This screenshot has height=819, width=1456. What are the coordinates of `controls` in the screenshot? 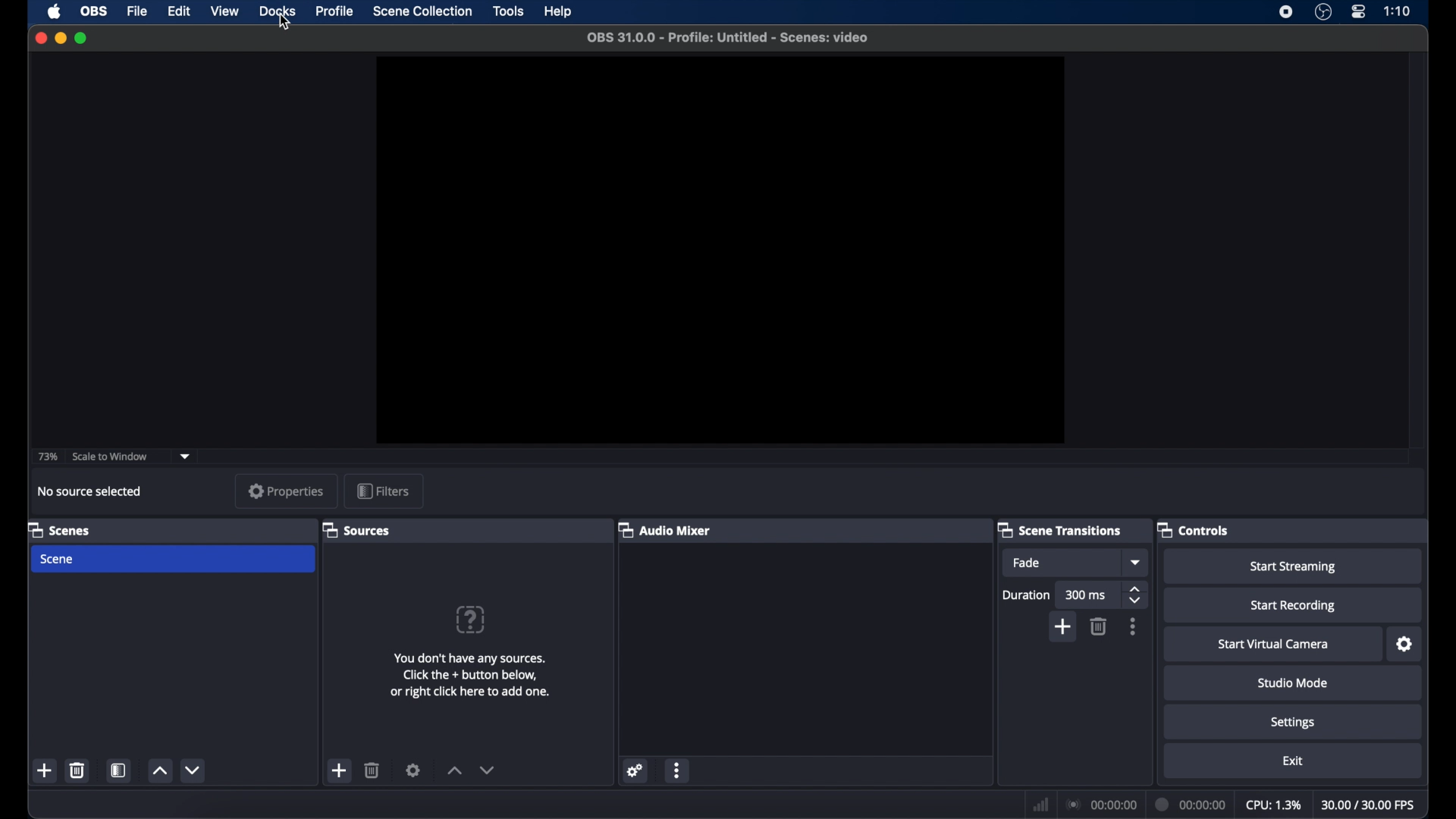 It's located at (1194, 529).